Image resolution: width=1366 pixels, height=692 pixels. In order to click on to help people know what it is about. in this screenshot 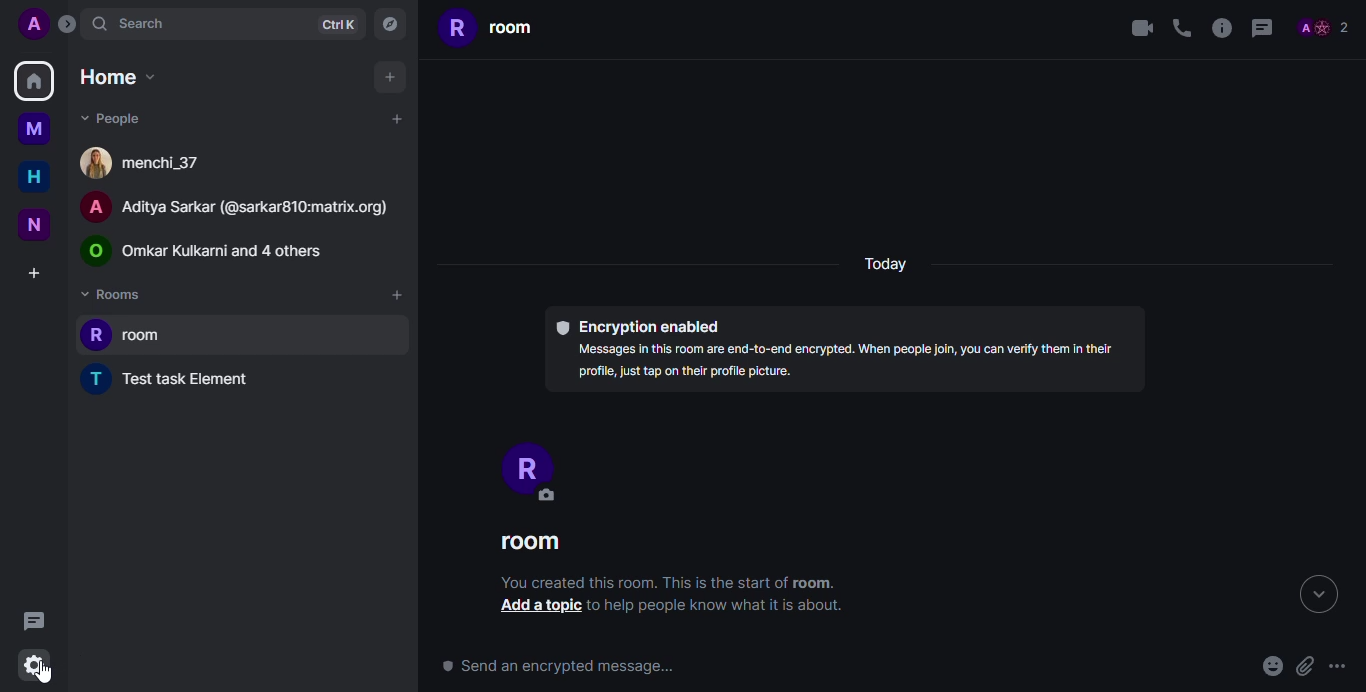, I will do `click(725, 607)`.